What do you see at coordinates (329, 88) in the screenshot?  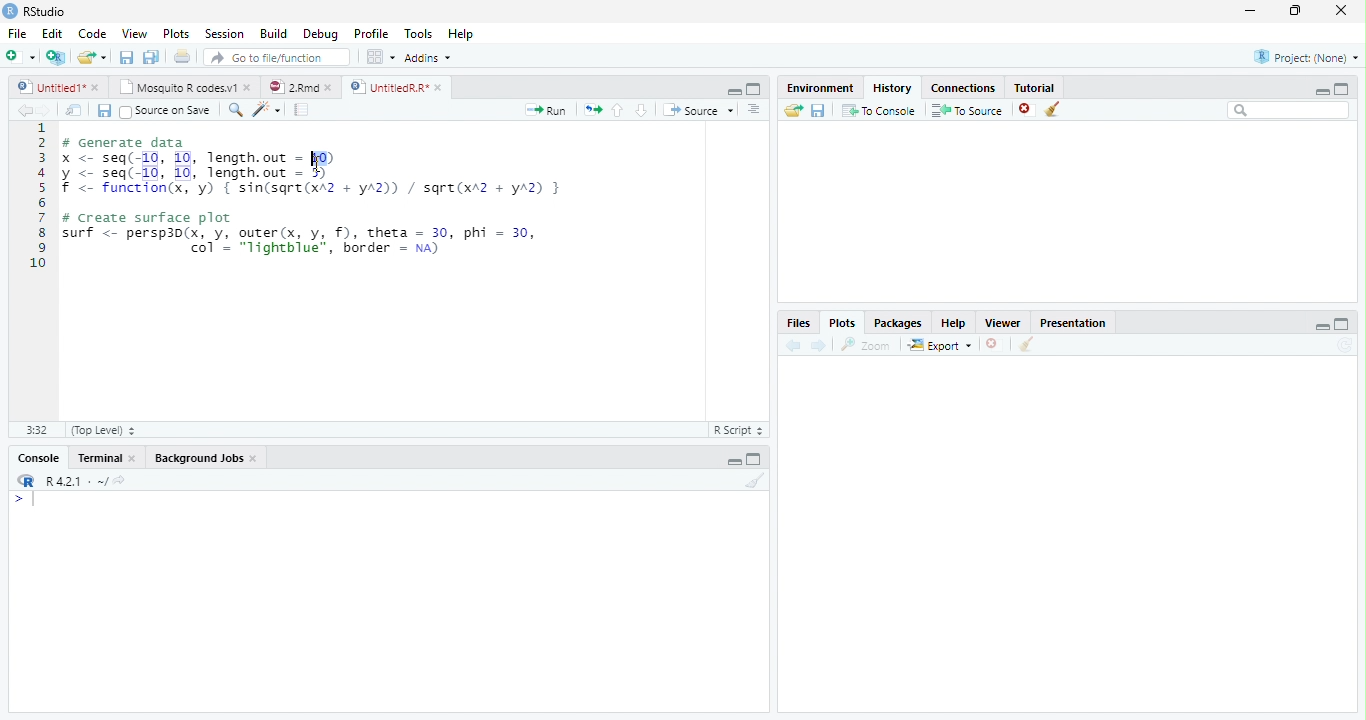 I see `close` at bounding box center [329, 88].